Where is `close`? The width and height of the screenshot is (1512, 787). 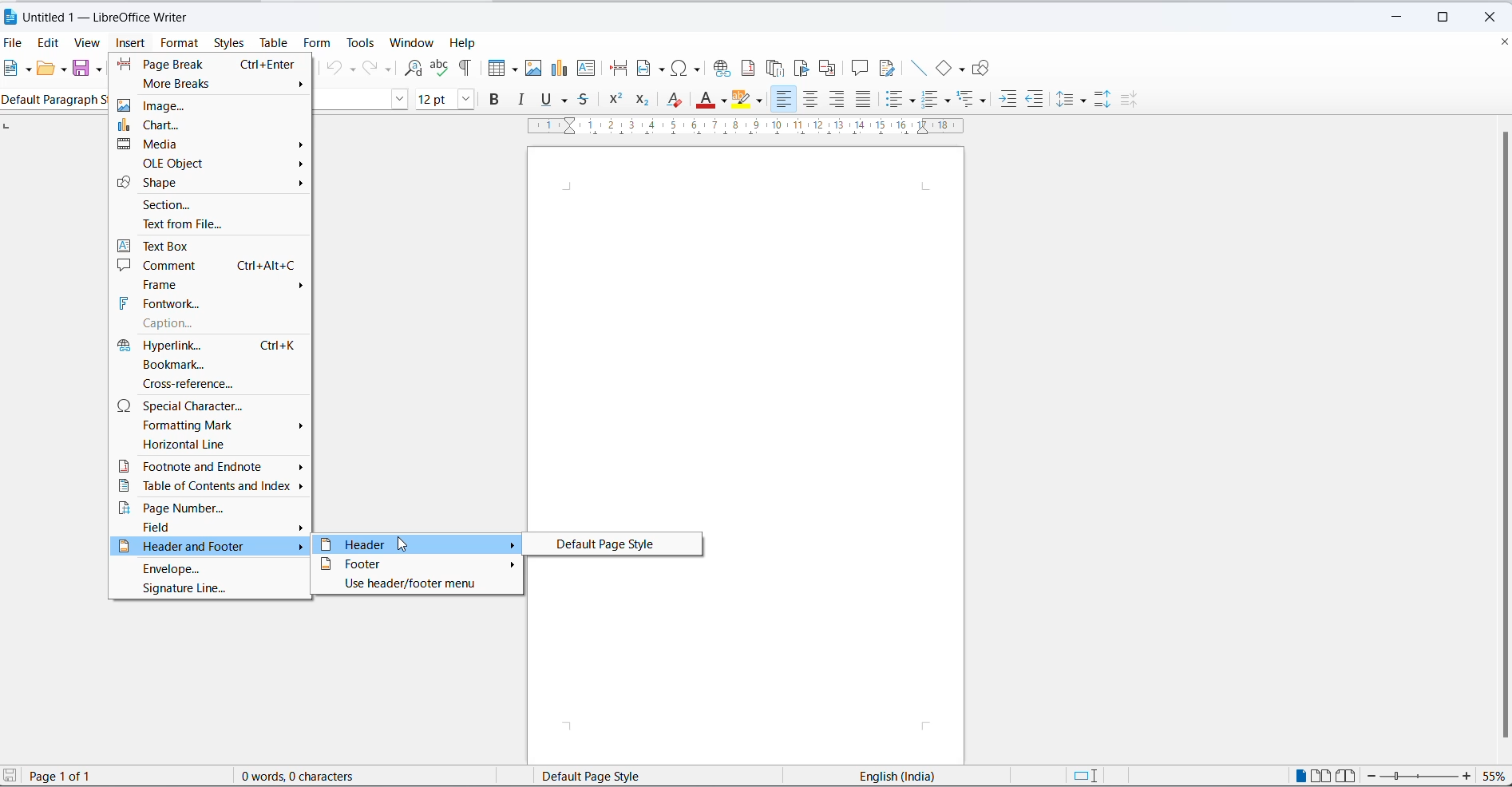
close is located at coordinates (1495, 15).